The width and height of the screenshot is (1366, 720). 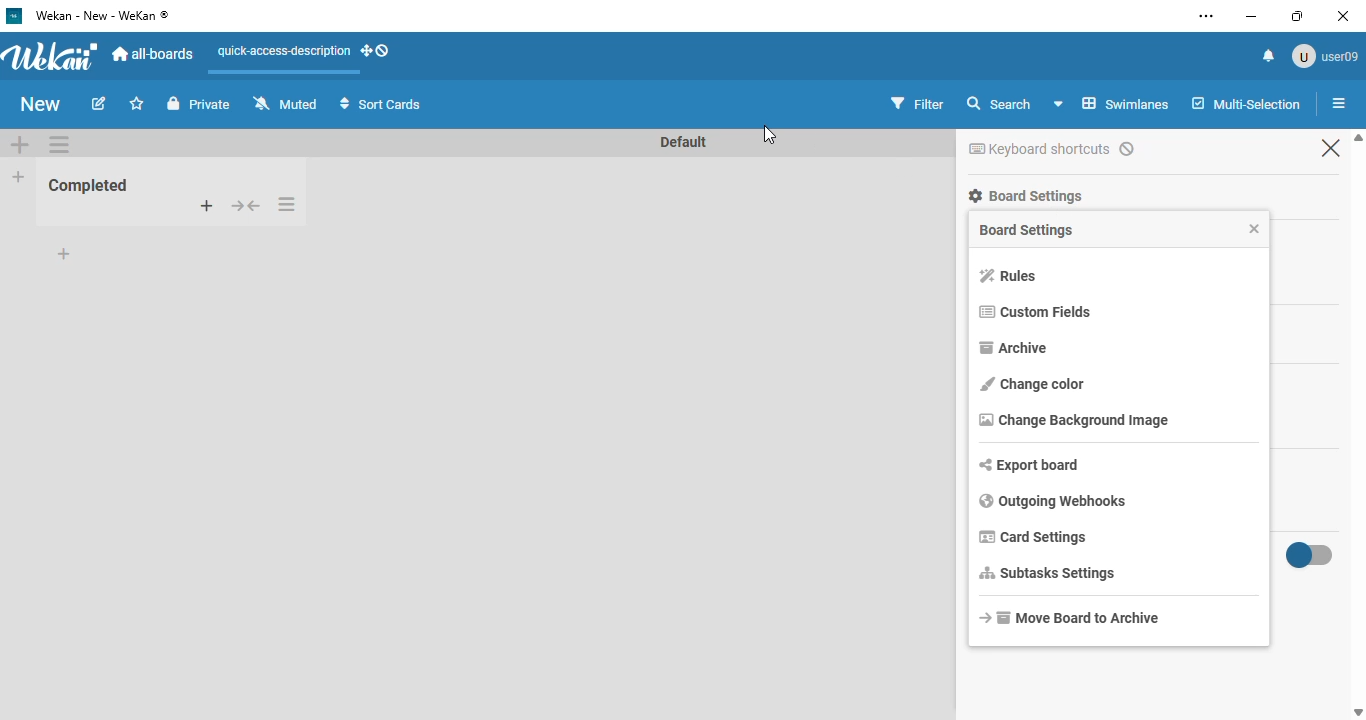 What do you see at coordinates (1343, 15) in the screenshot?
I see `close` at bounding box center [1343, 15].